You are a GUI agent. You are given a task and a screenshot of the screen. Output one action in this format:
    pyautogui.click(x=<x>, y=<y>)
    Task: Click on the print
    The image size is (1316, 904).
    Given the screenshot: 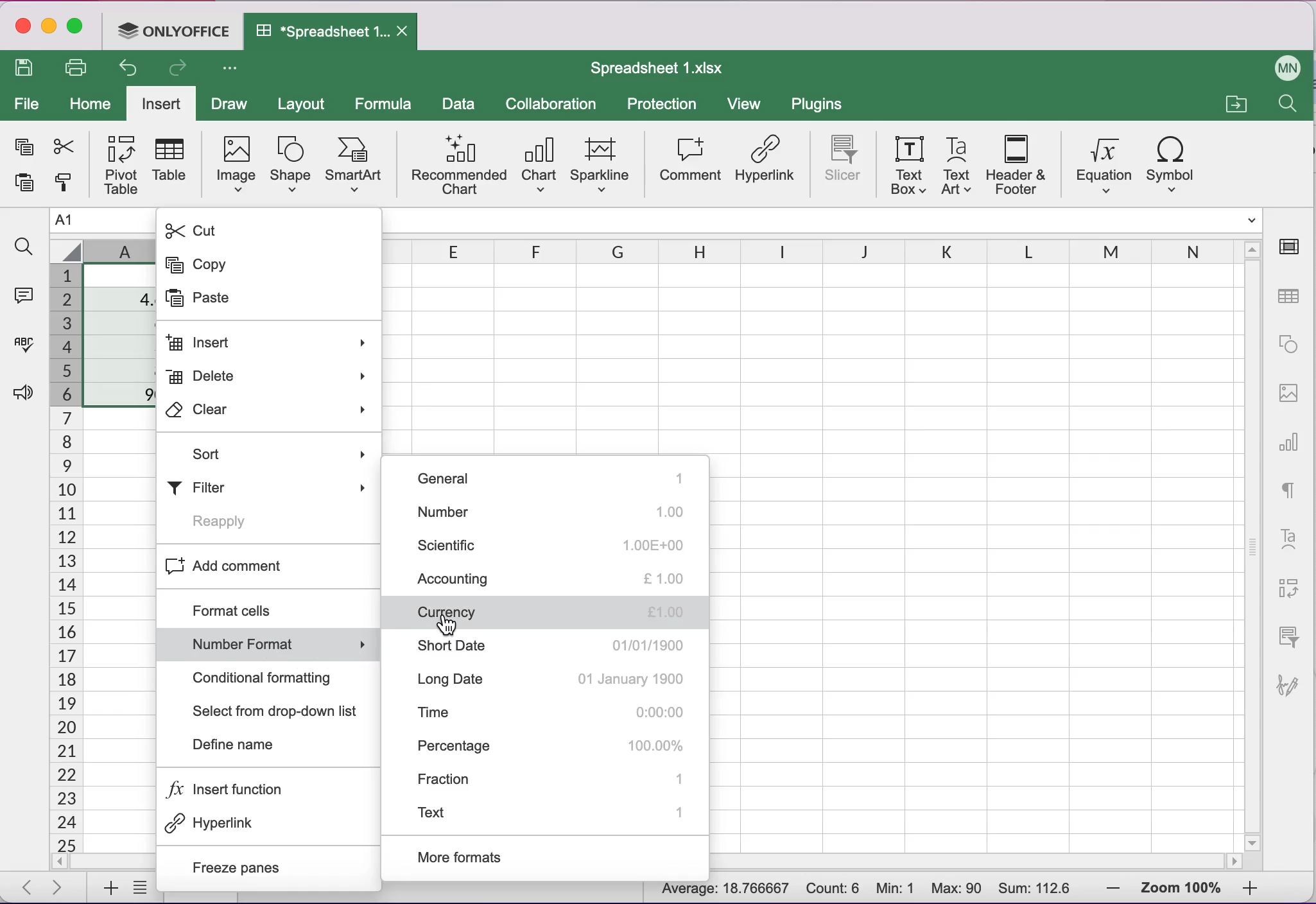 What is the action you would take?
    pyautogui.click(x=77, y=69)
    